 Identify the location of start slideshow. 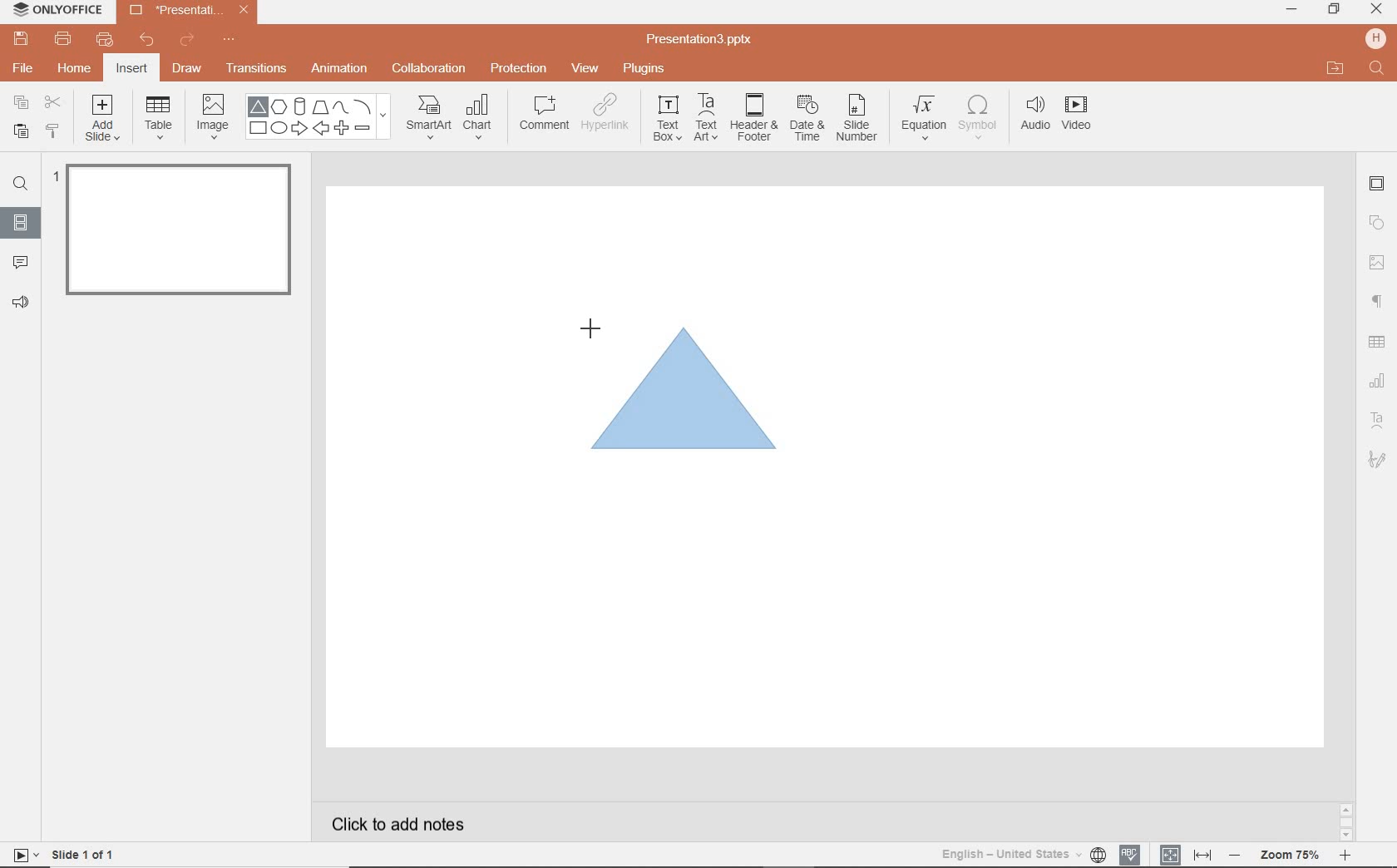
(20, 857).